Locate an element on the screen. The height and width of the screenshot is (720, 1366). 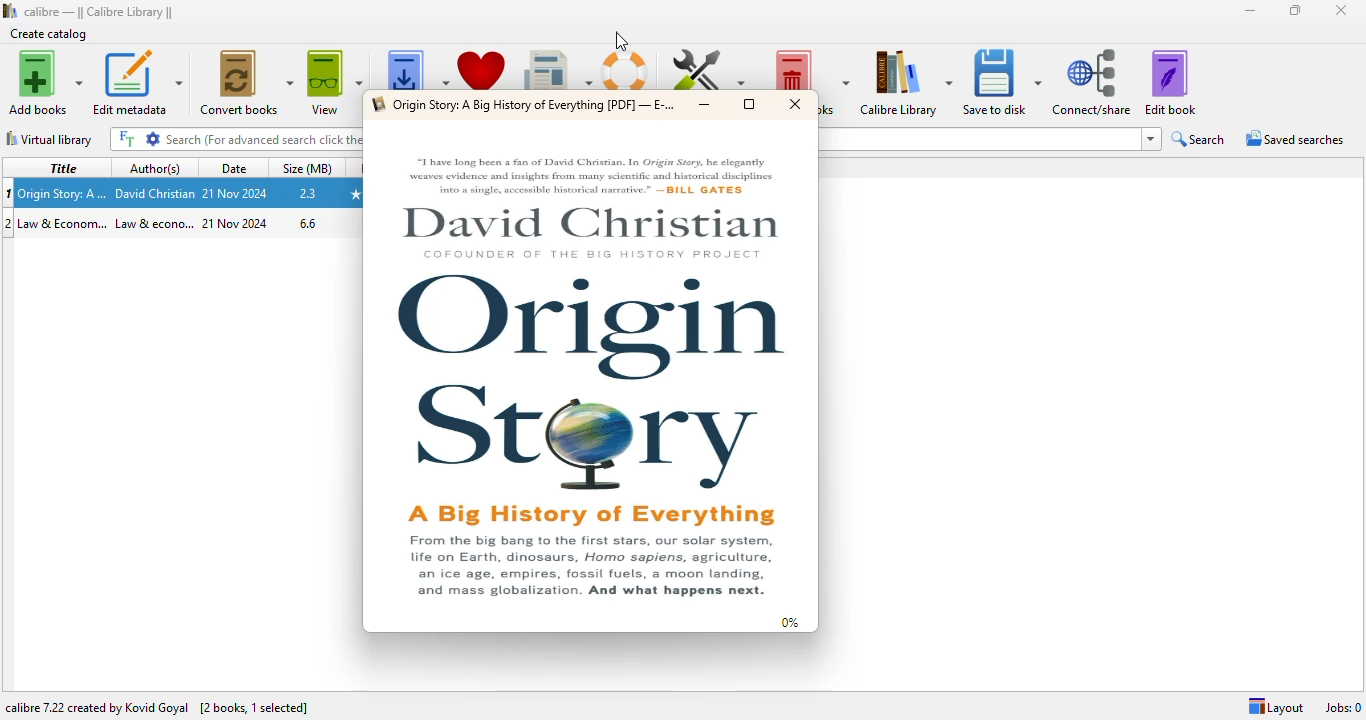
Title is located at coordinates (64, 224).